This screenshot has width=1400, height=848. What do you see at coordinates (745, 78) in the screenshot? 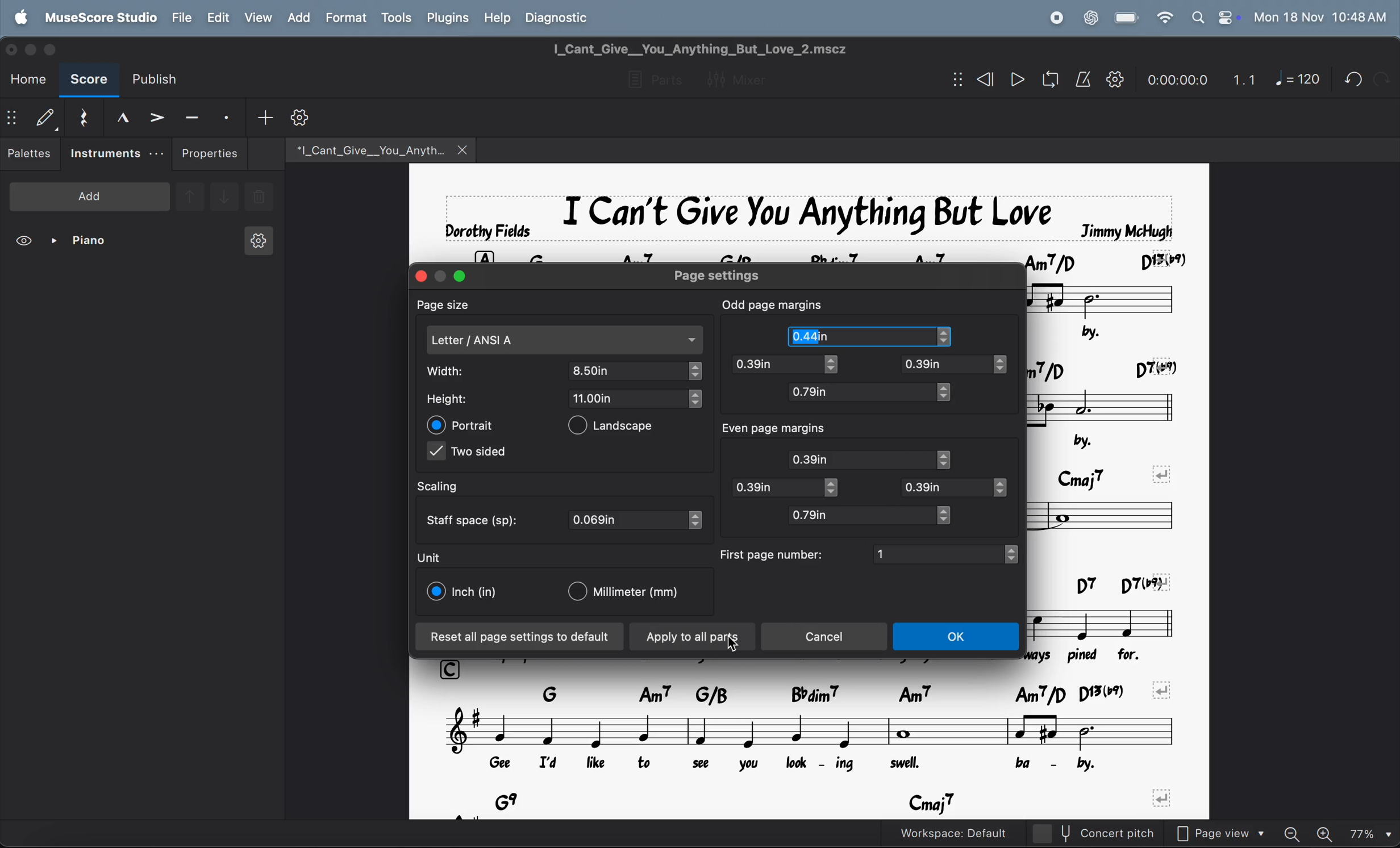
I see `mixer` at bounding box center [745, 78].